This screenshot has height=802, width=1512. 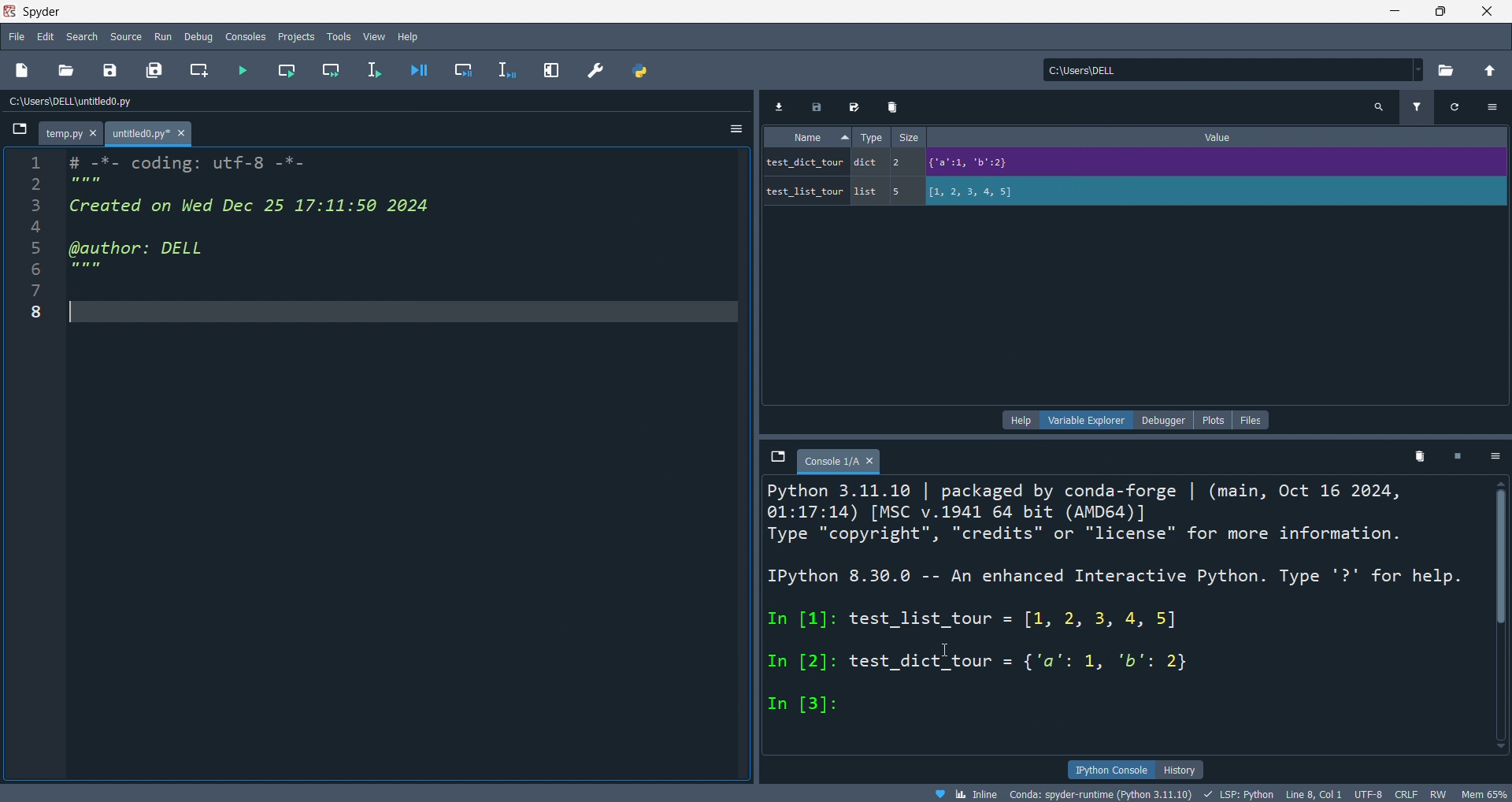 I want to click on RW, so click(x=1442, y=793).